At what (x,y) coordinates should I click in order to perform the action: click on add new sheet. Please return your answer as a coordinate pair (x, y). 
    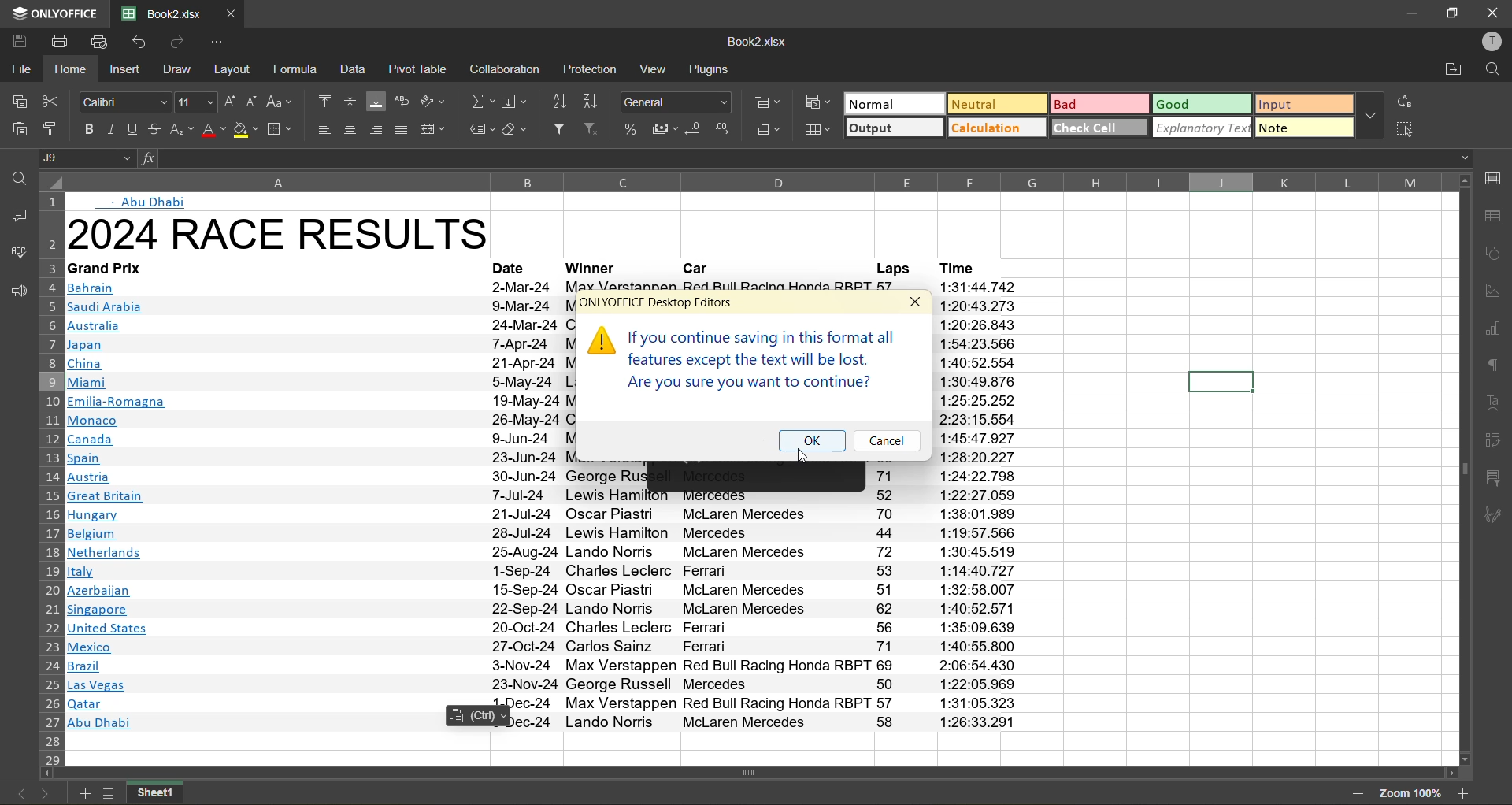
    Looking at the image, I should click on (84, 794).